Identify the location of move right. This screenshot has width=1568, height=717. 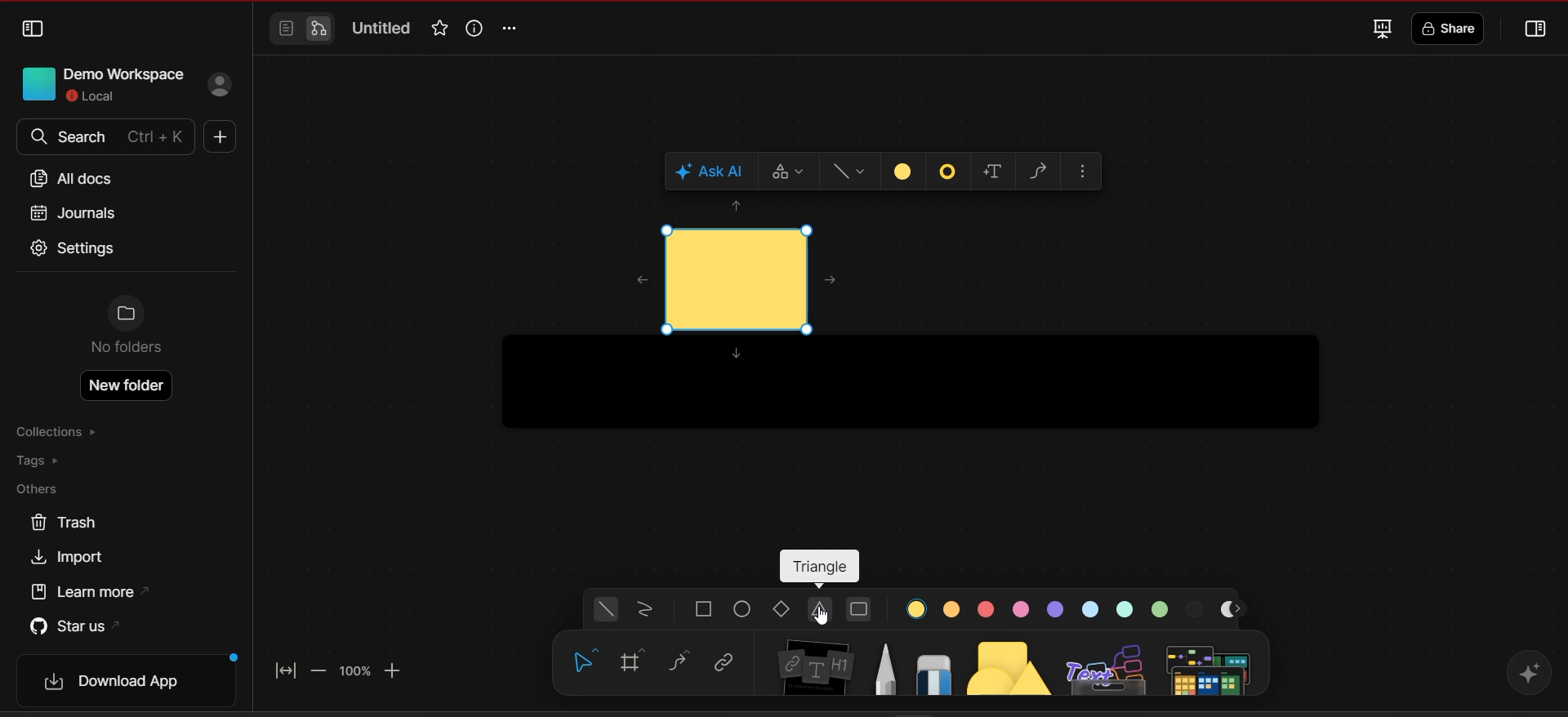
(1241, 609).